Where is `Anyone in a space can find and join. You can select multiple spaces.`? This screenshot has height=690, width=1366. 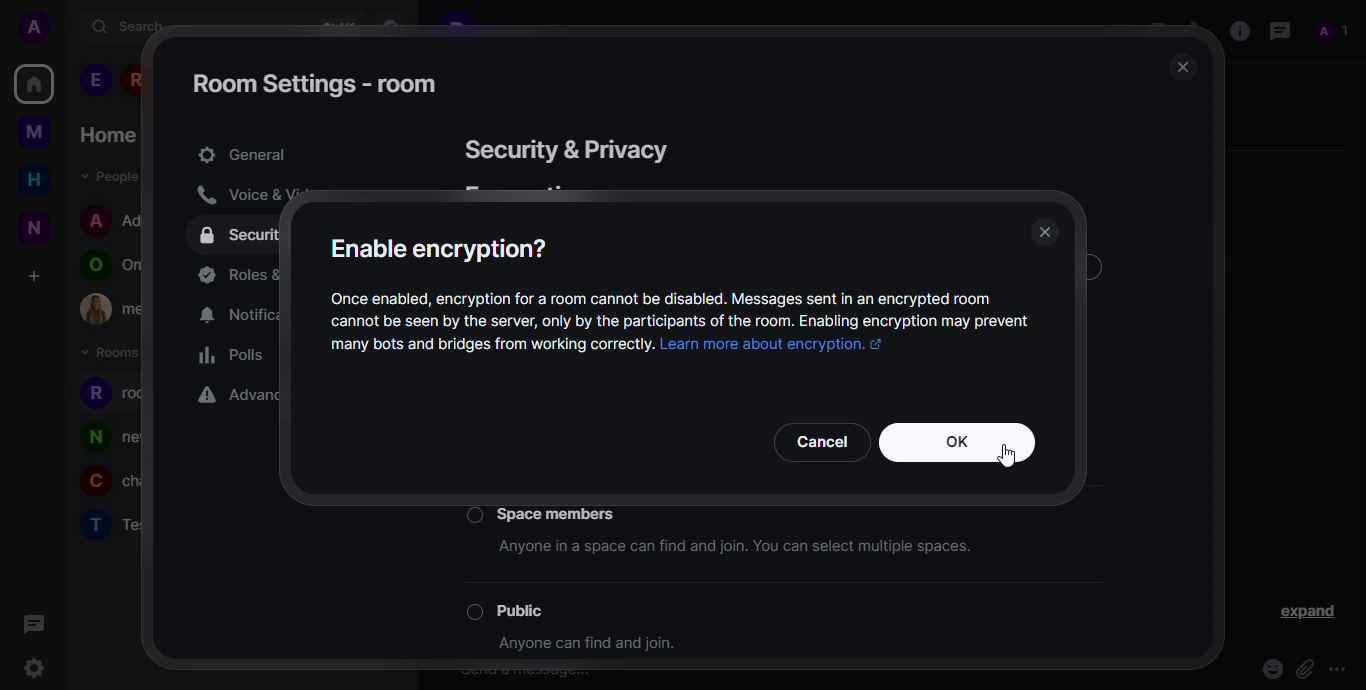
Anyone in a space can find and join. You can select multiple spaces. is located at coordinates (749, 550).